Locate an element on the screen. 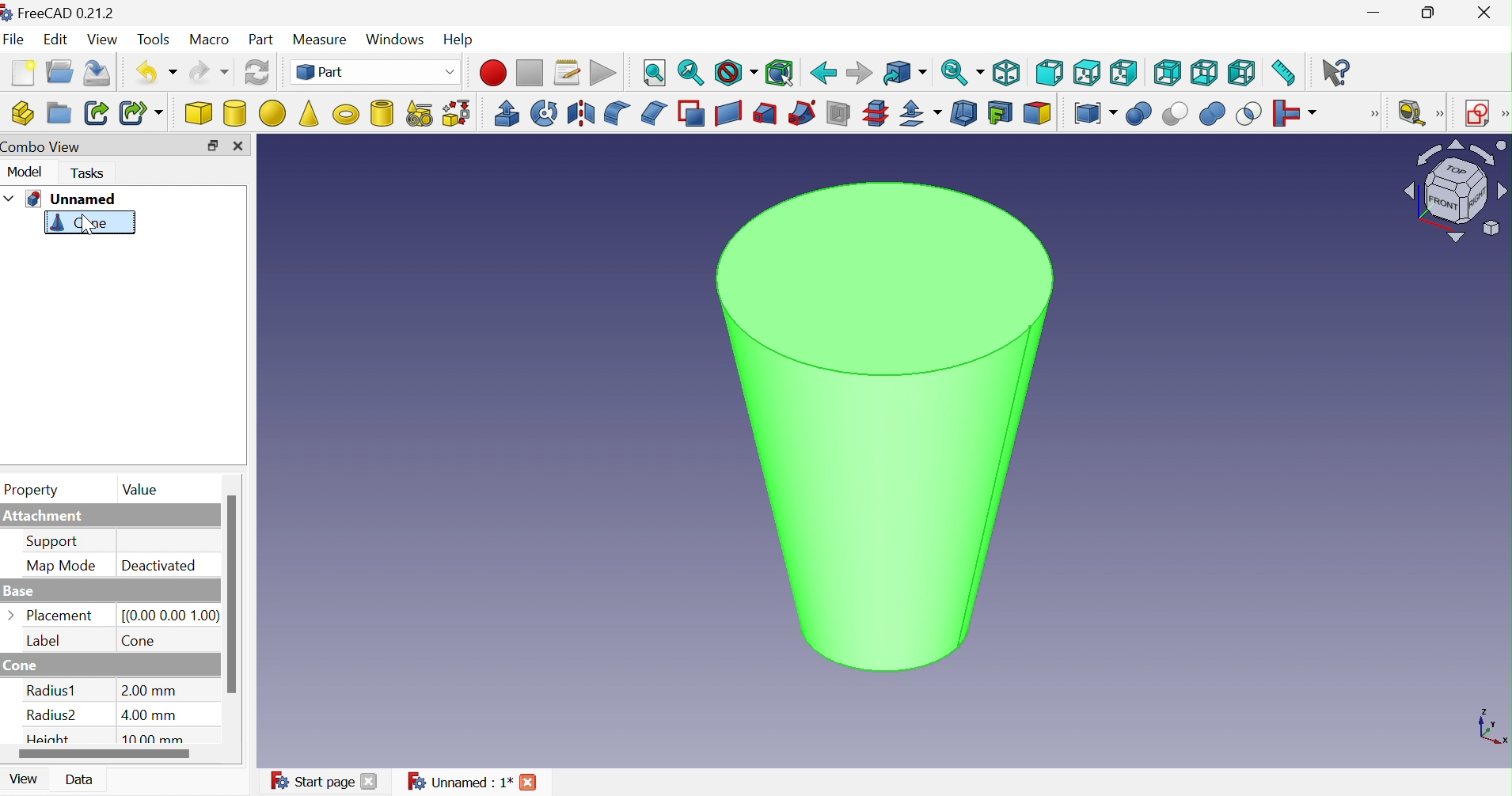 The height and width of the screenshot is (796, 1512). What's this? is located at coordinates (1339, 72).